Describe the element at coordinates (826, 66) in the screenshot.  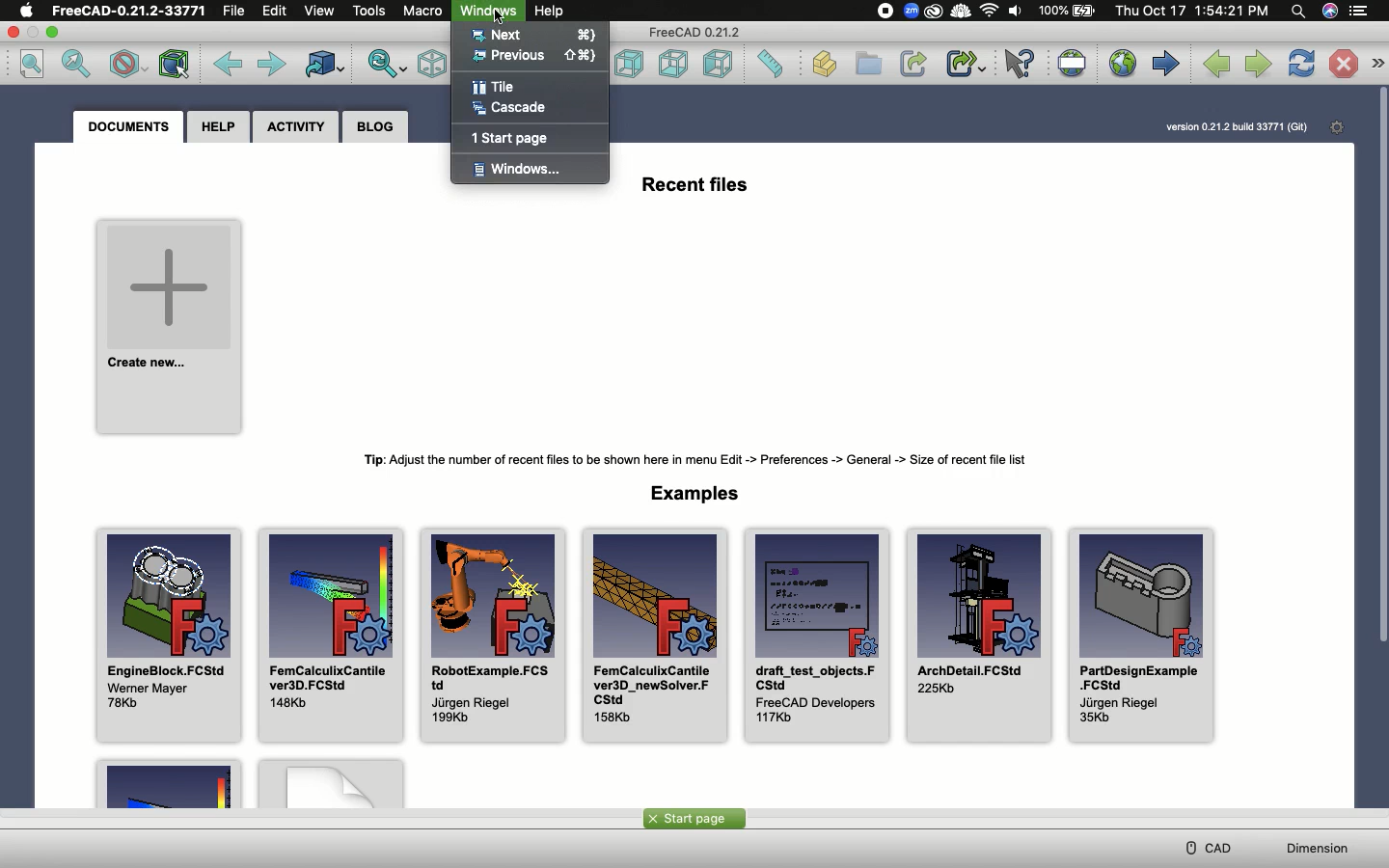
I see `Create part` at that location.